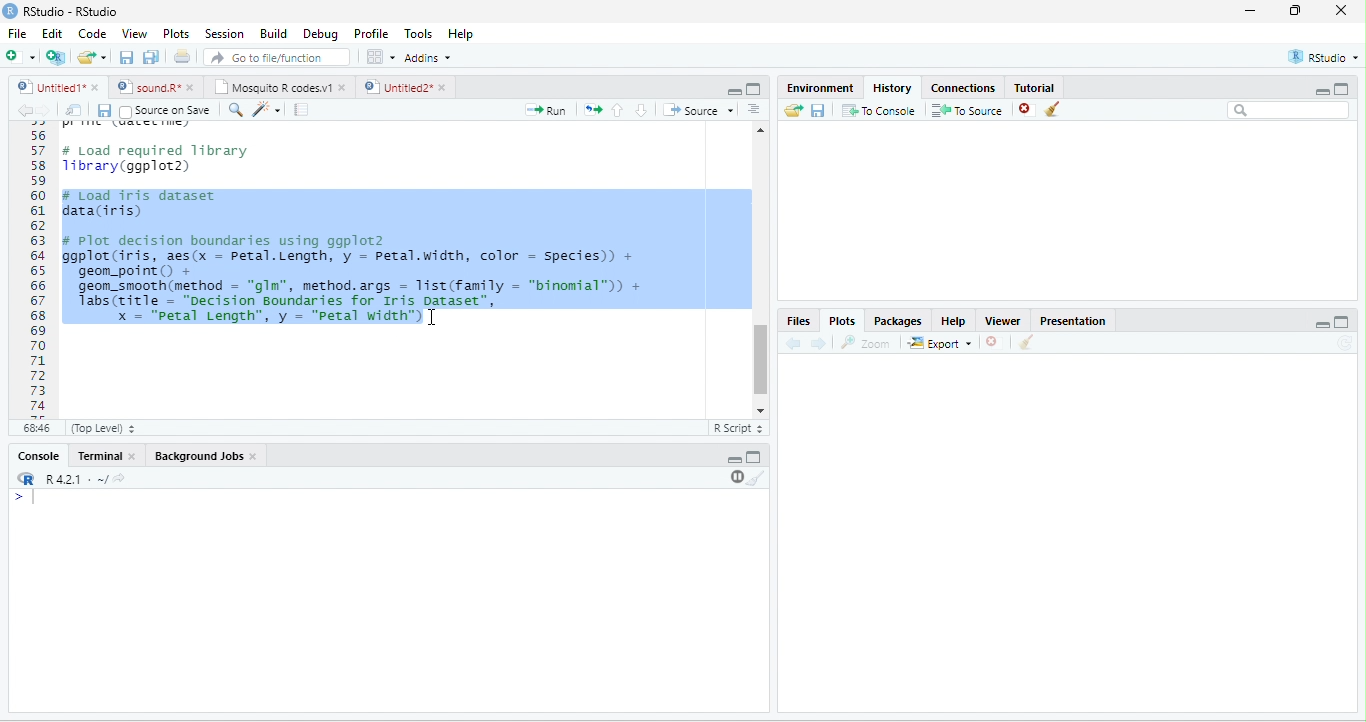 Image resolution: width=1366 pixels, height=722 pixels. I want to click on save, so click(817, 111).